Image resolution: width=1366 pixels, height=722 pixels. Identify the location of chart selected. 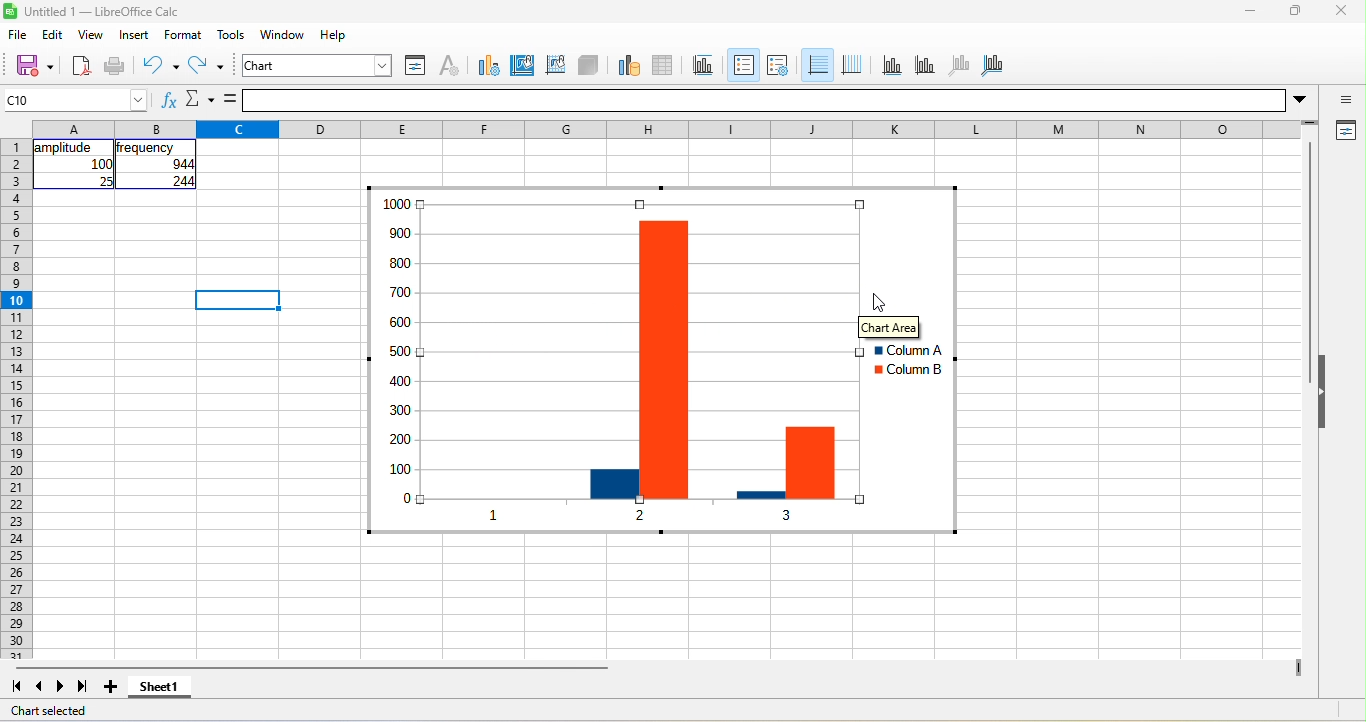
(50, 709).